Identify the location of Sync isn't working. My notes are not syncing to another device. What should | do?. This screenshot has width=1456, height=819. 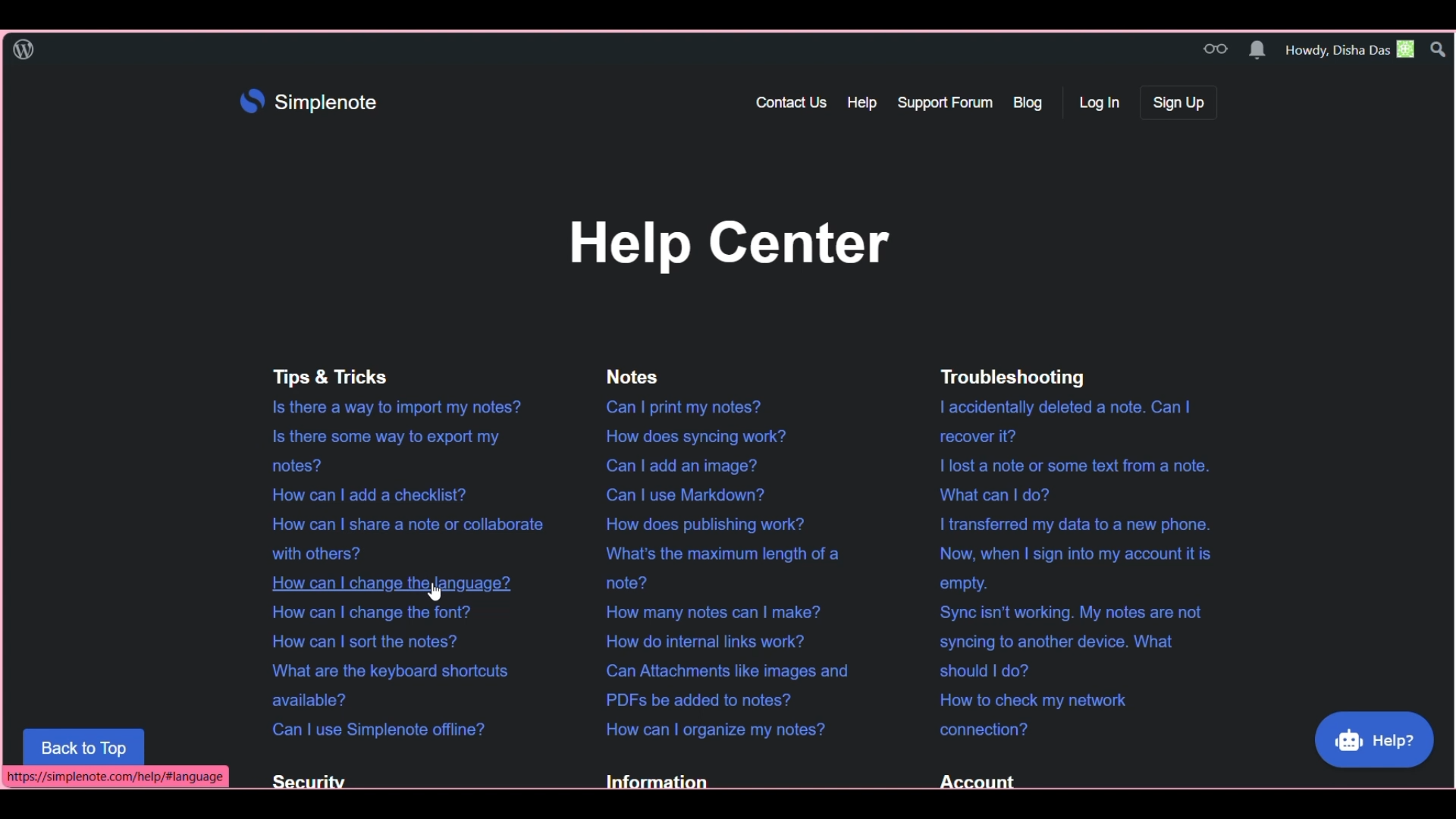
(1064, 639).